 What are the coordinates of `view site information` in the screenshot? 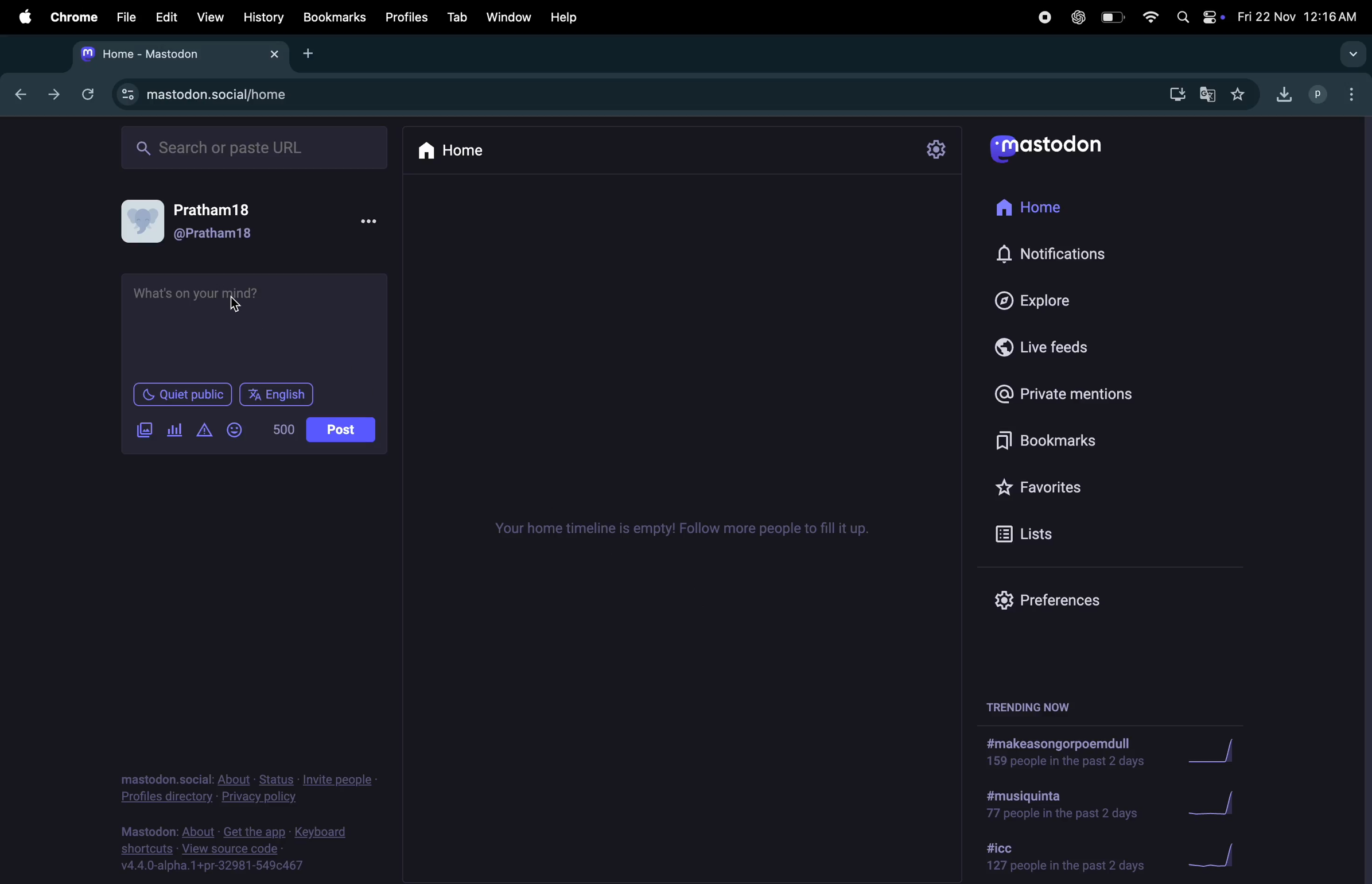 It's located at (125, 94).